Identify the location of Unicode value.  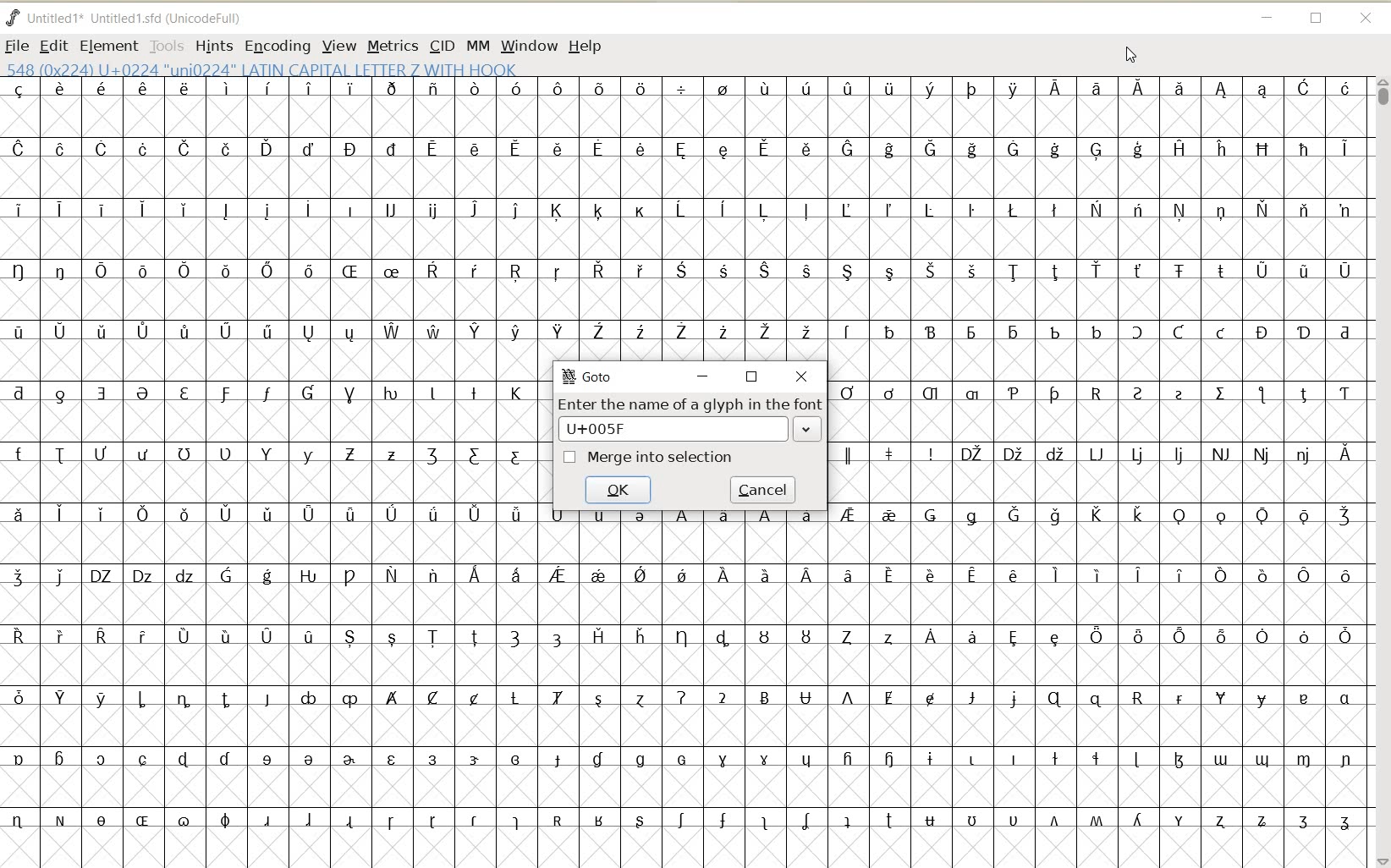
(610, 428).